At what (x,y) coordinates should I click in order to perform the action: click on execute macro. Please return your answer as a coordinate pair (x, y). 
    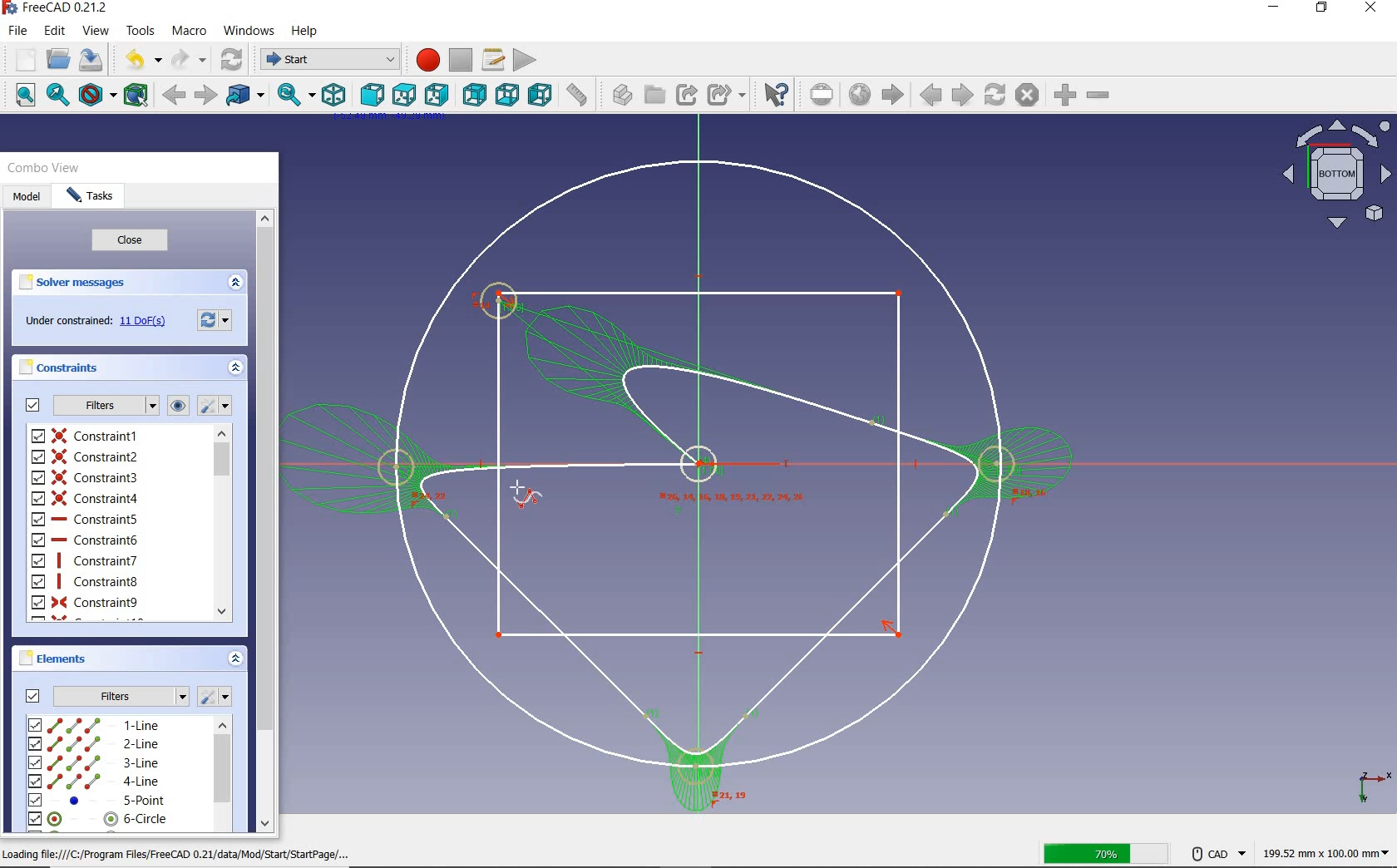
    Looking at the image, I should click on (525, 59).